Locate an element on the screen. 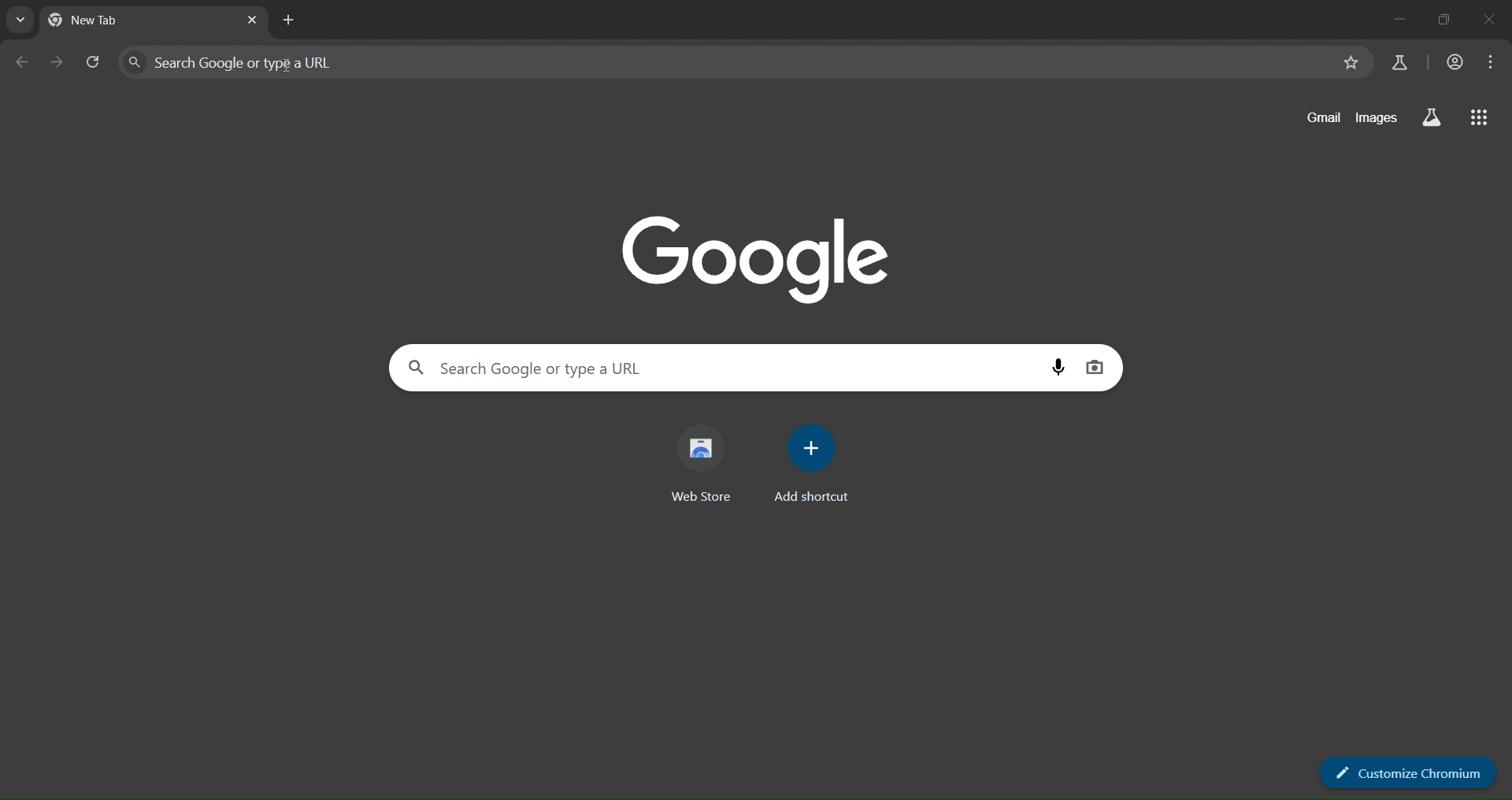  reload is located at coordinates (98, 64).